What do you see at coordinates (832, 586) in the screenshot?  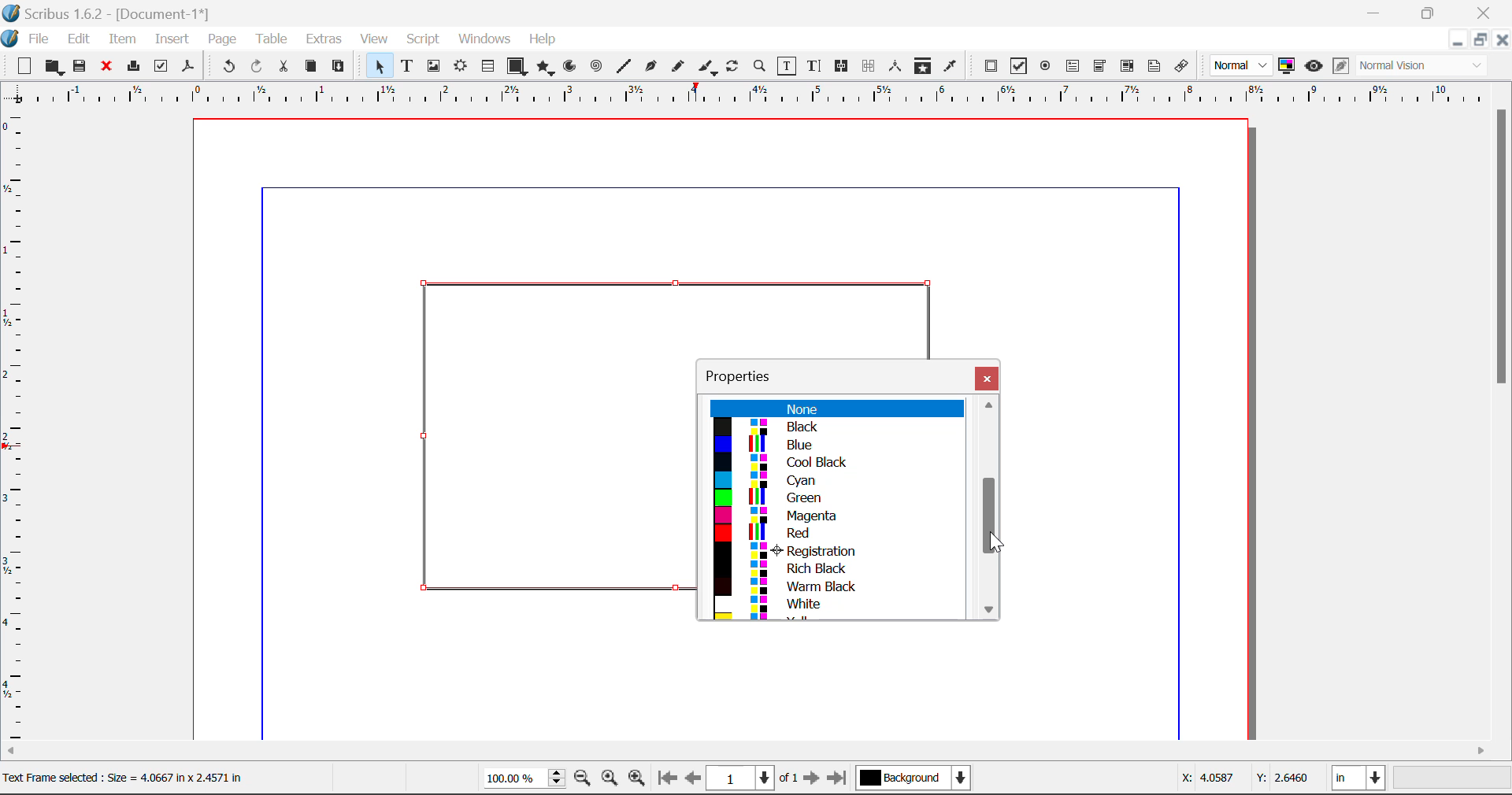 I see `Warm Black` at bounding box center [832, 586].